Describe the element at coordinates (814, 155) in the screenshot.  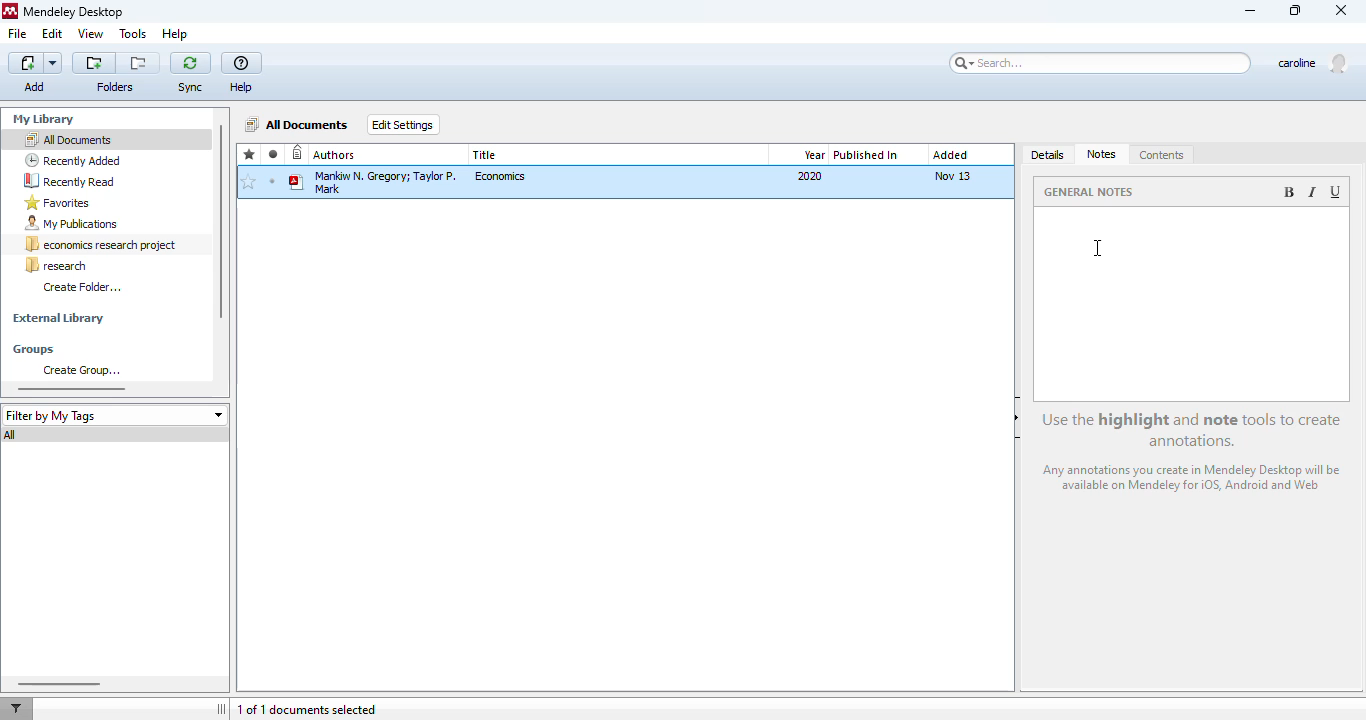
I see `year` at that location.